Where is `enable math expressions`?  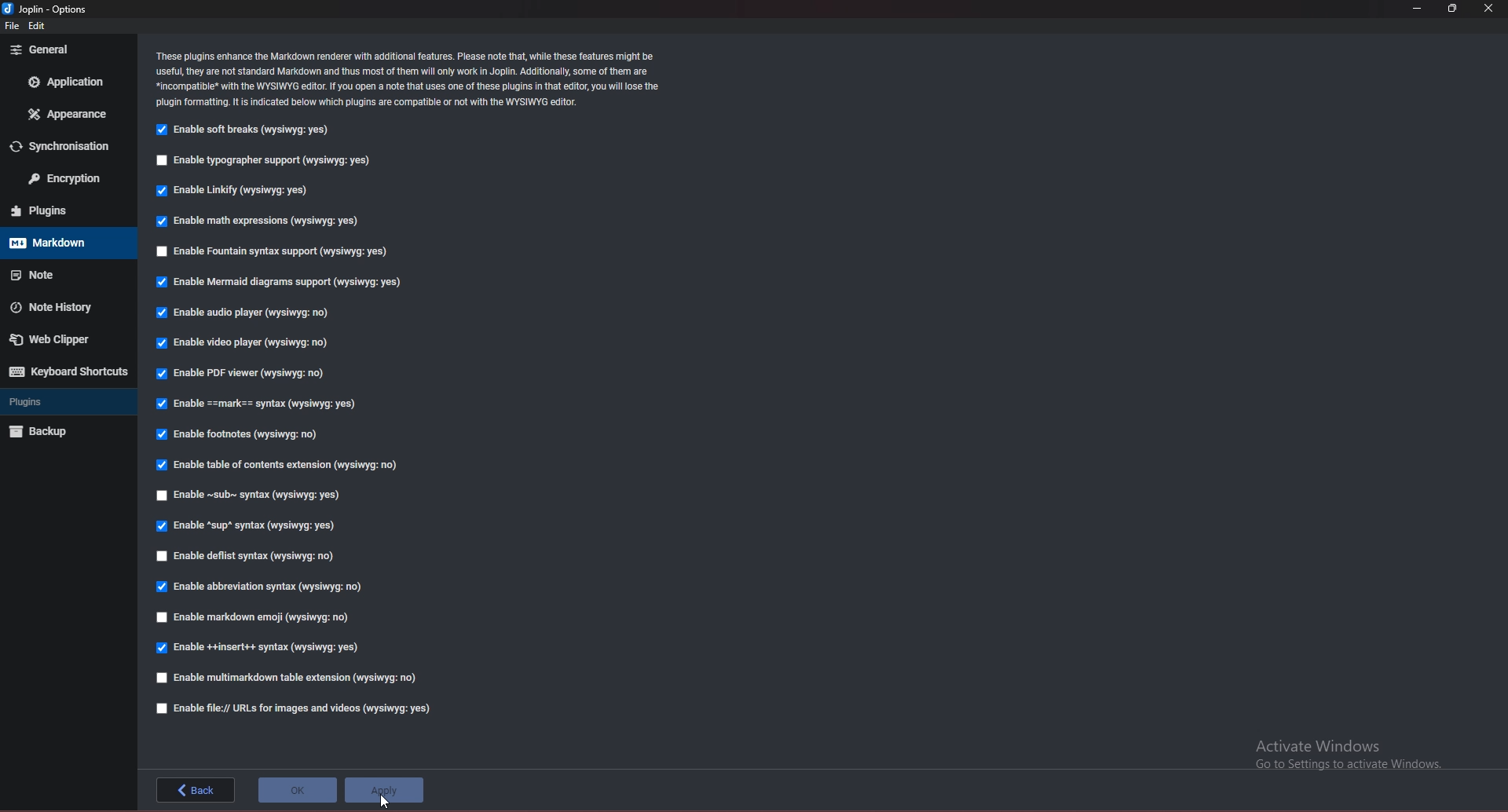
enable math expressions is located at coordinates (256, 221).